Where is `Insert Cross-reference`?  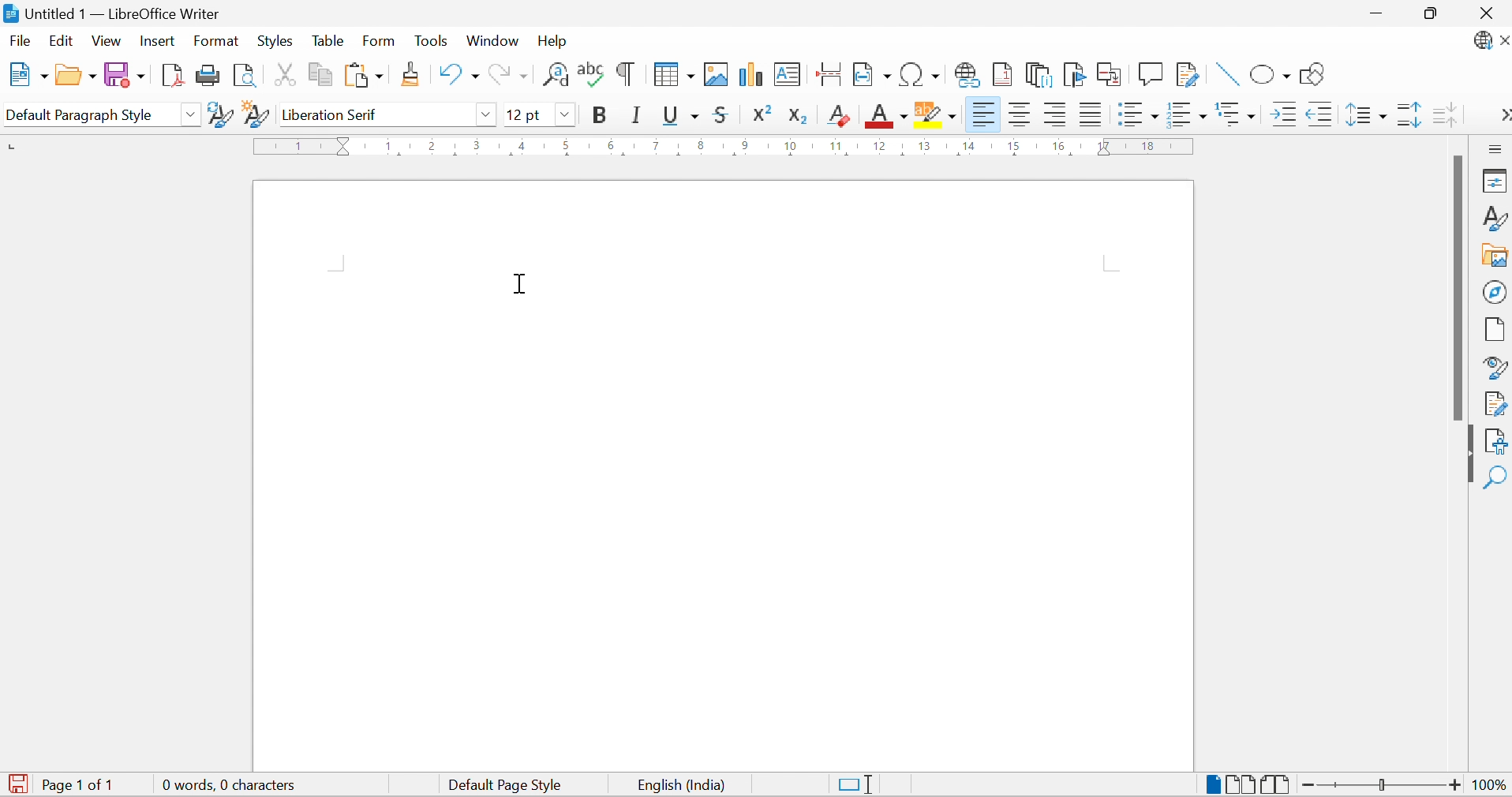
Insert Cross-reference is located at coordinates (1111, 76).